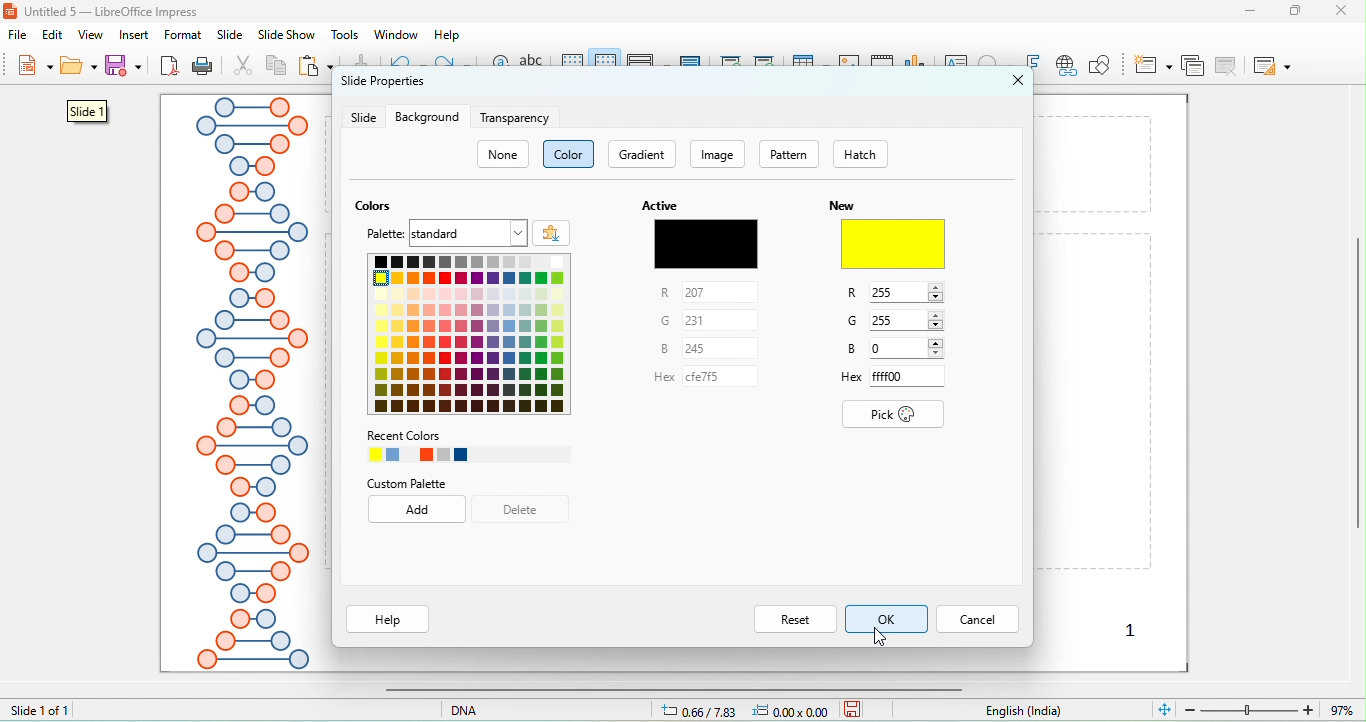 The height and width of the screenshot is (722, 1366). I want to click on reset, so click(793, 617).